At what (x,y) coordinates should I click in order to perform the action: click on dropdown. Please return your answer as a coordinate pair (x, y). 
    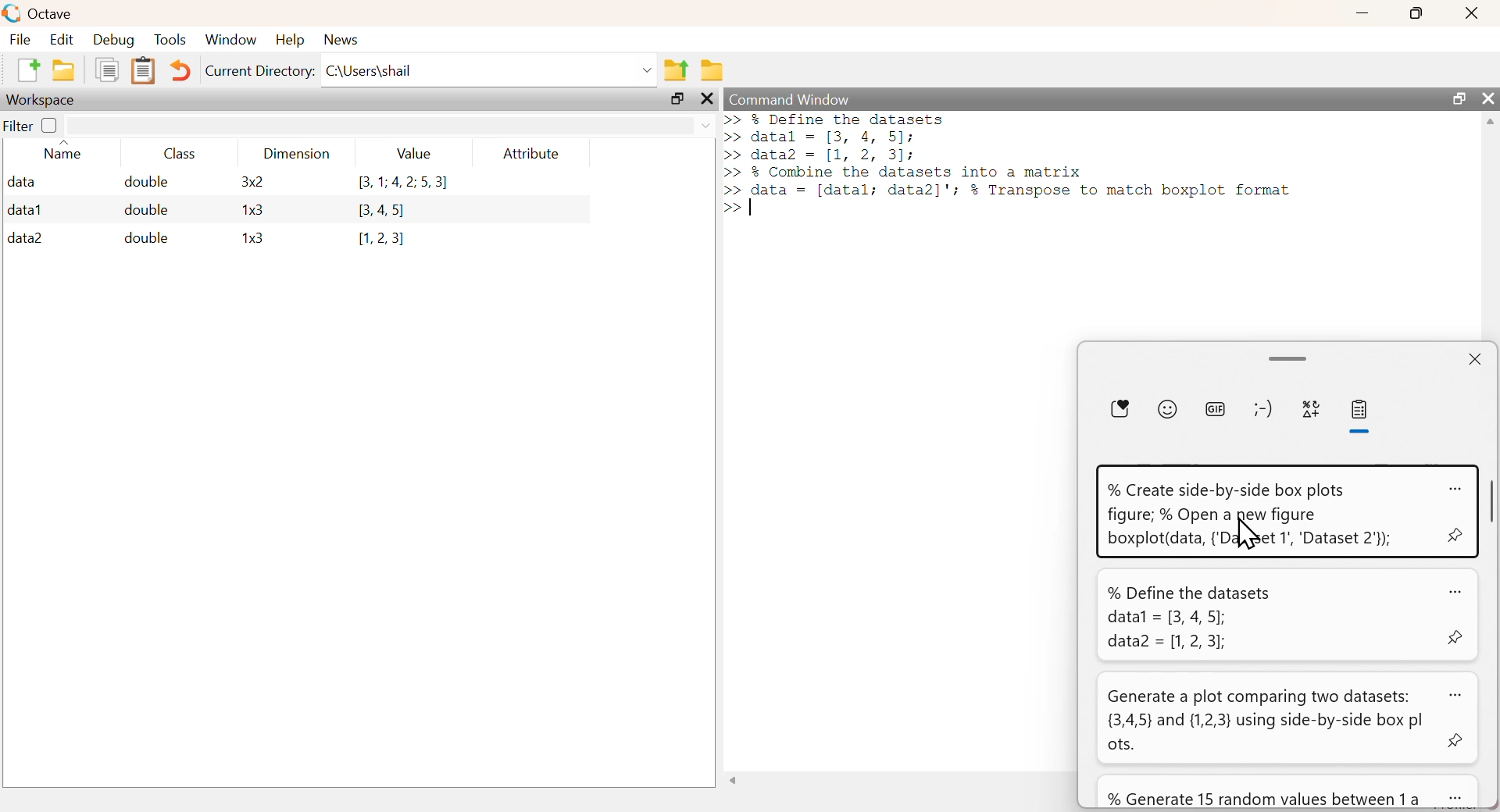
    Looking at the image, I should click on (706, 127).